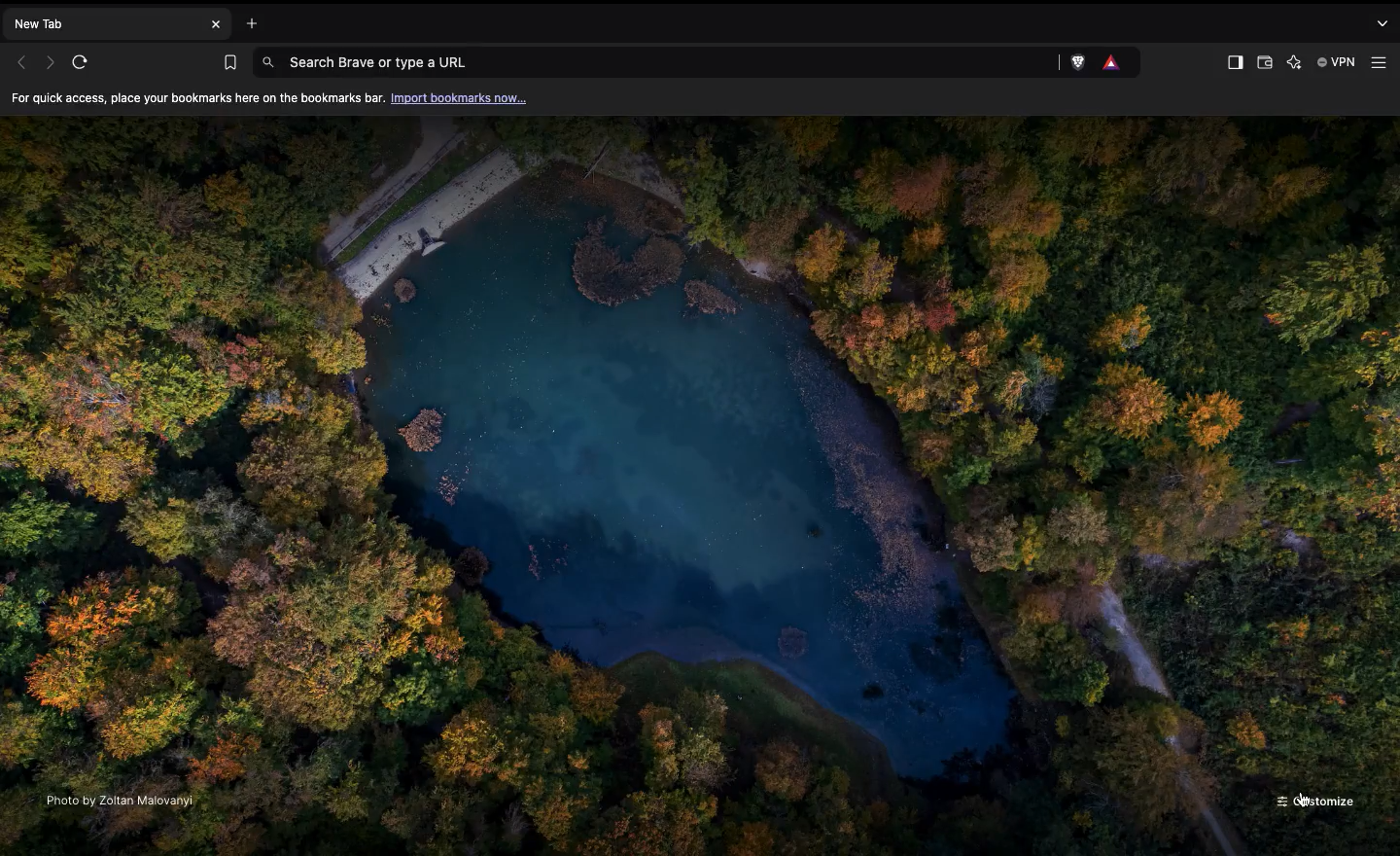 The height and width of the screenshot is (856, 1400). What do you see at coordinates (21, 62) in the screenshot?
I see `Previous page` at bounding box center [21, 62].